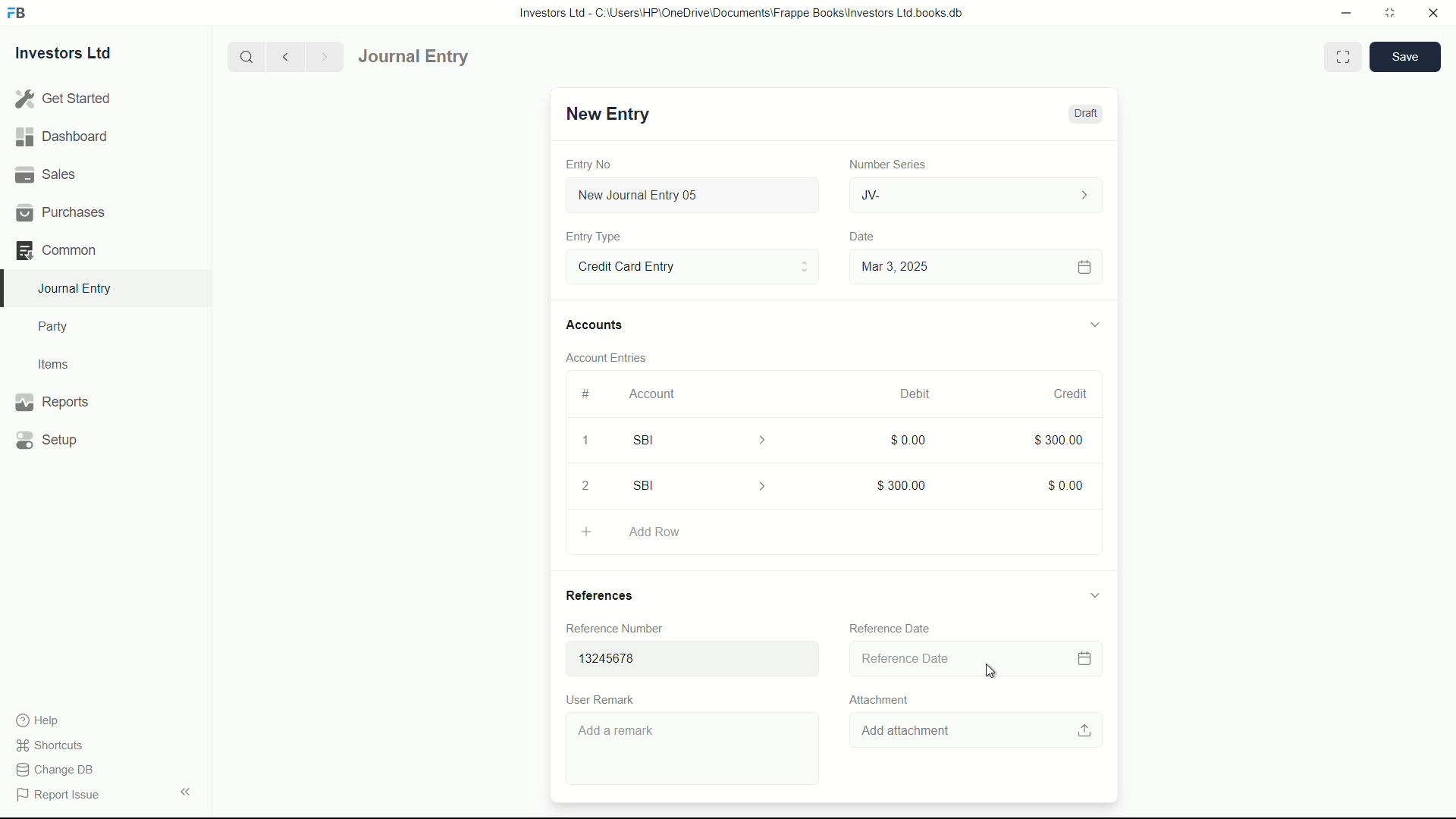 The height and width of the screenshot is (819, 1456). What do you see at coordinates (1084, 114) in the screenshot?
I see `Draft` at bounding box center [1084, 114].